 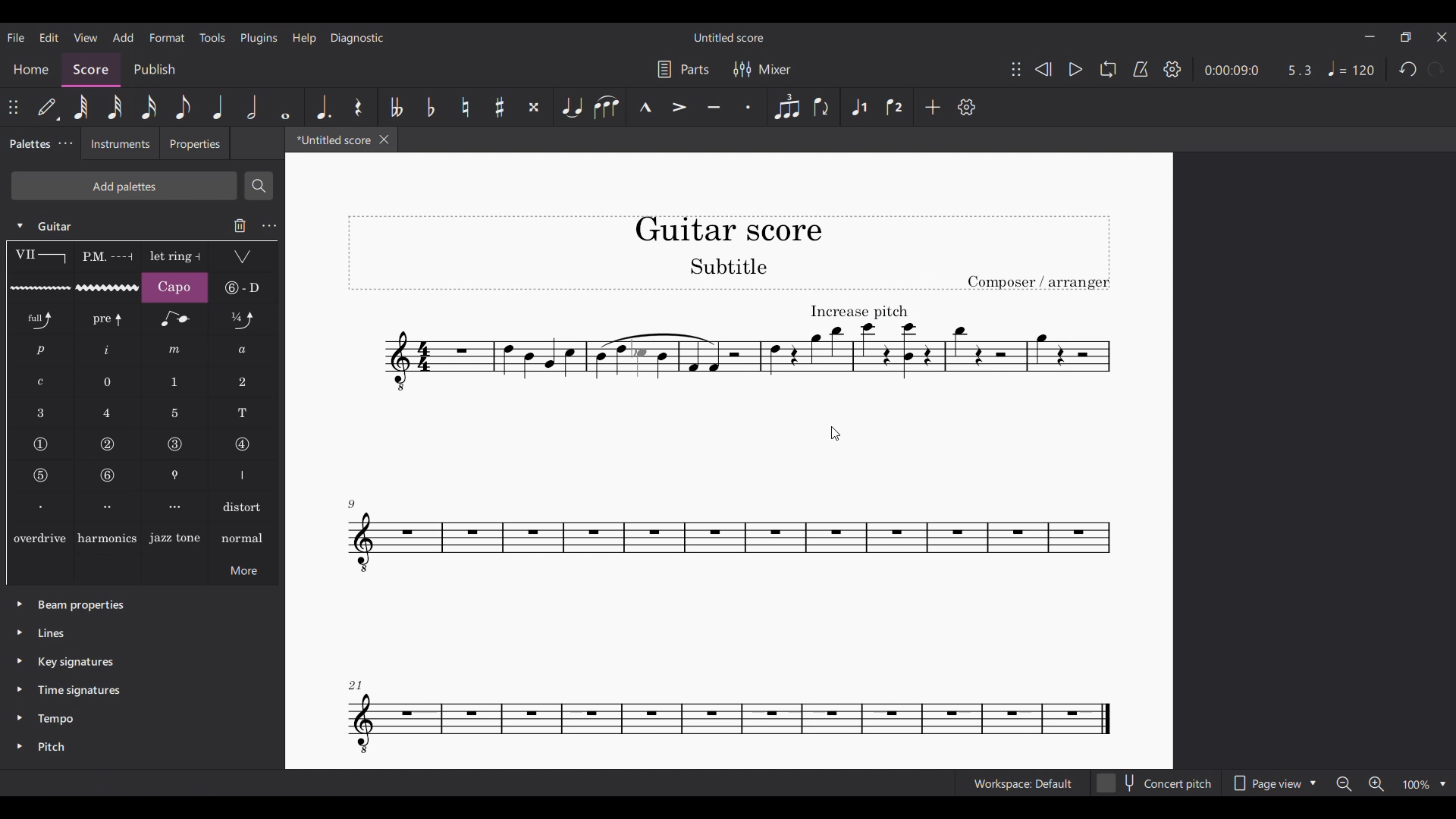 I want to click on Current workspace setting, so click(x=1022, y=783).